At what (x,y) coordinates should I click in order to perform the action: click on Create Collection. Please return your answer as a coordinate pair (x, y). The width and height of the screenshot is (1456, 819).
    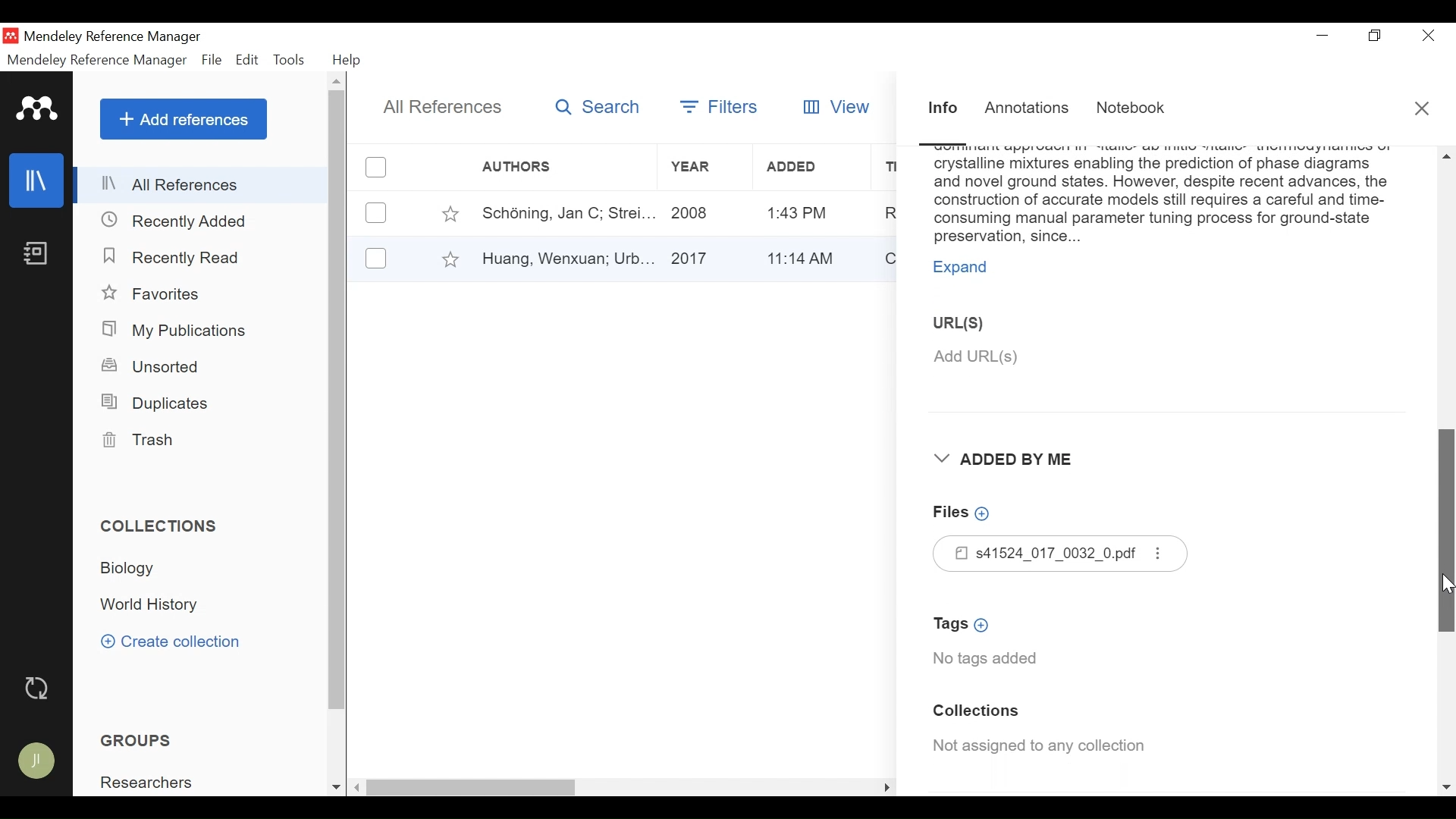
    Looking at the image, I should click on (171, 641).